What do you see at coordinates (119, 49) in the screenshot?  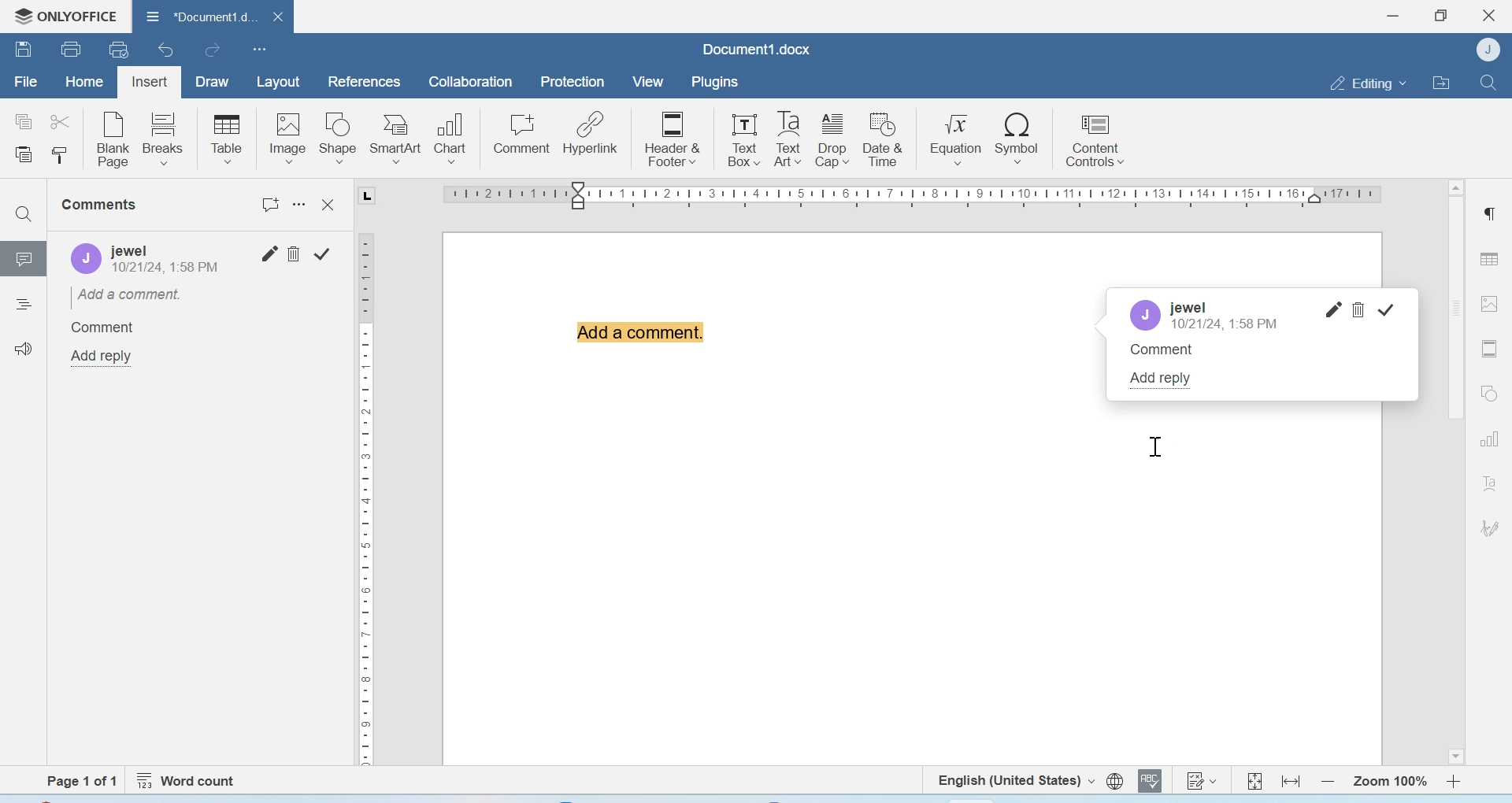 I see `Quick print` at bounding box center [119, 49].